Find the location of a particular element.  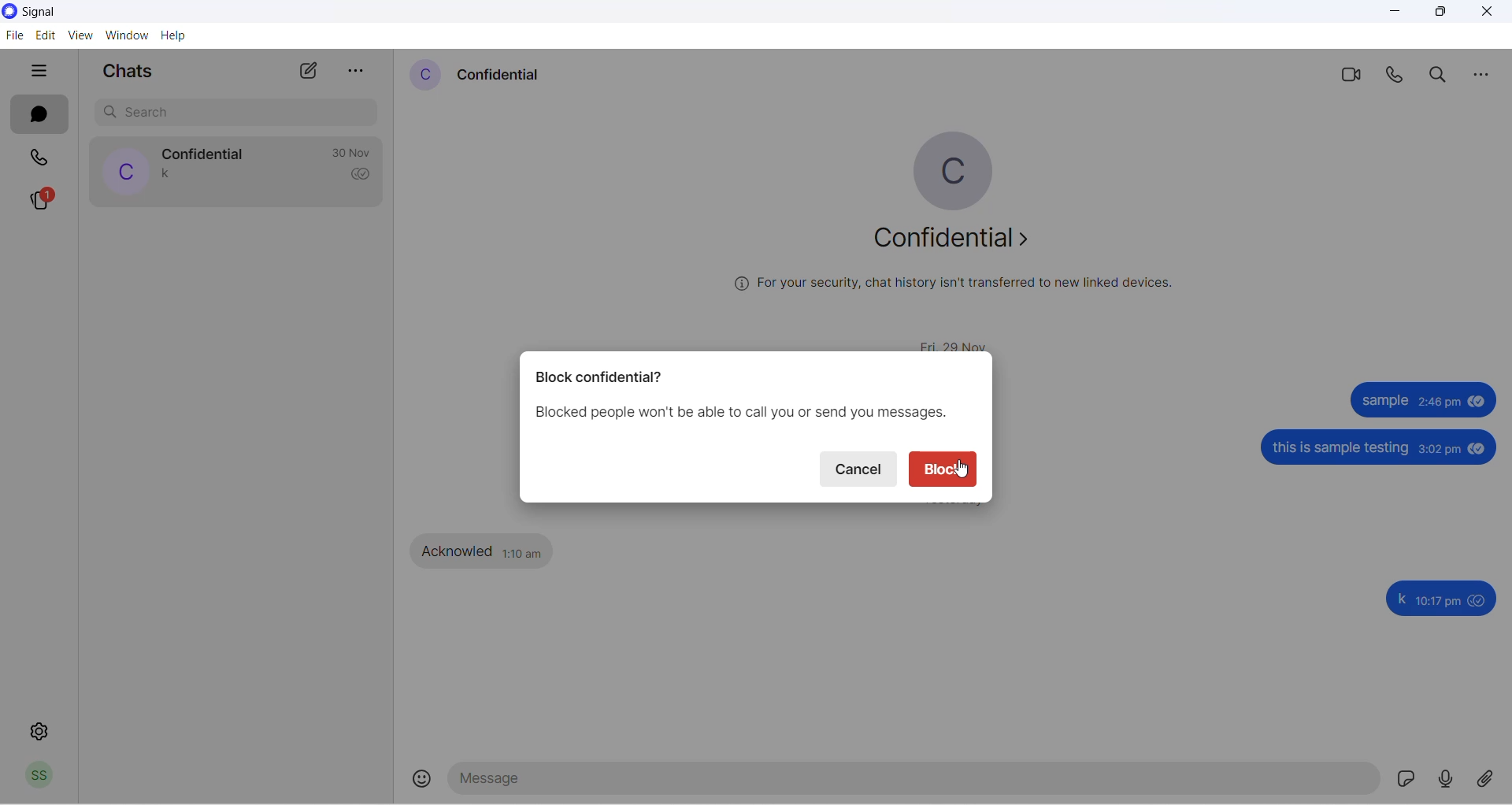

message text area is located at coordinates (914, 781).